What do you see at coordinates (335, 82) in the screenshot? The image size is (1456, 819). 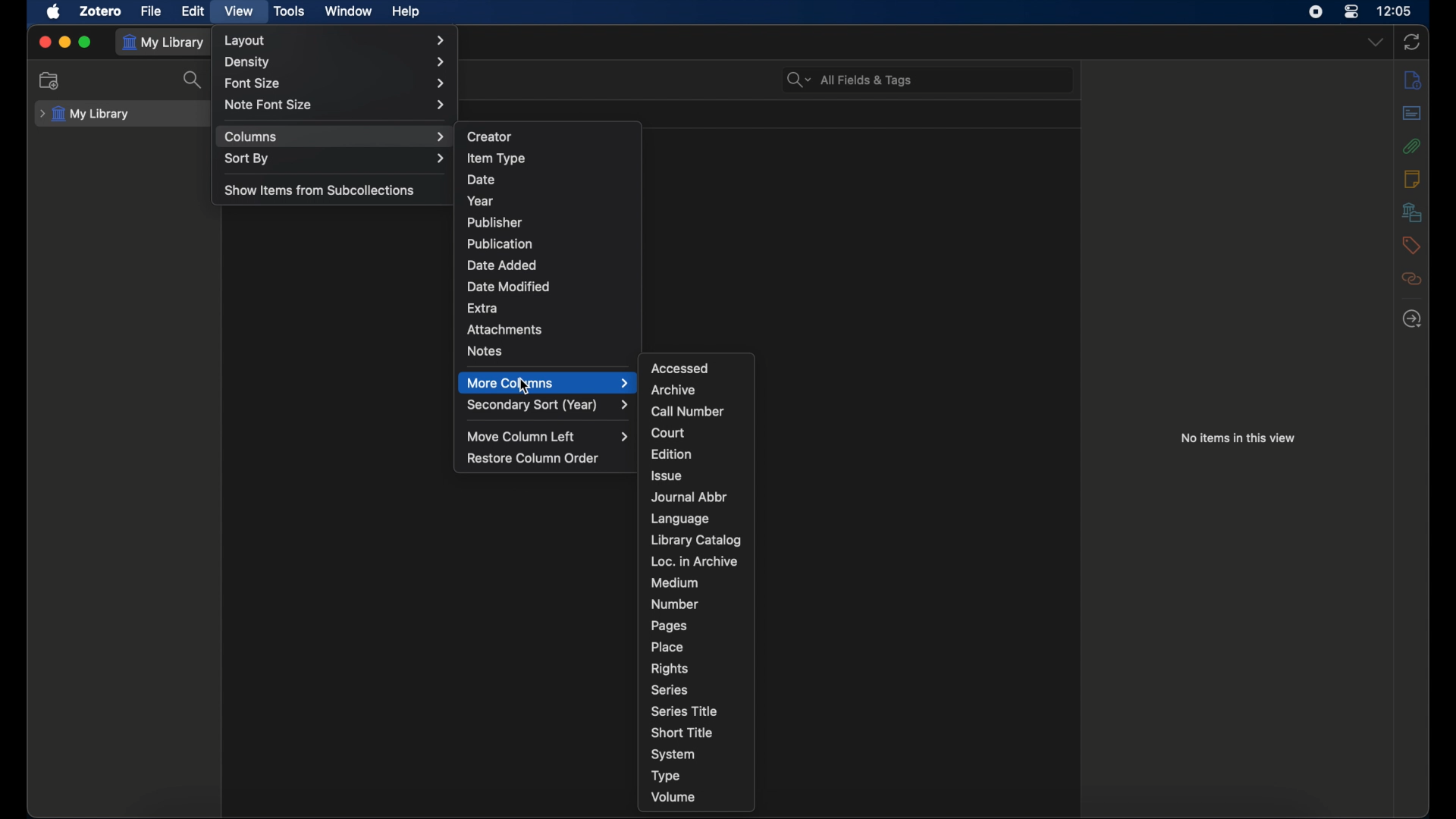 I see `font size` at bounding box center [335, 82].